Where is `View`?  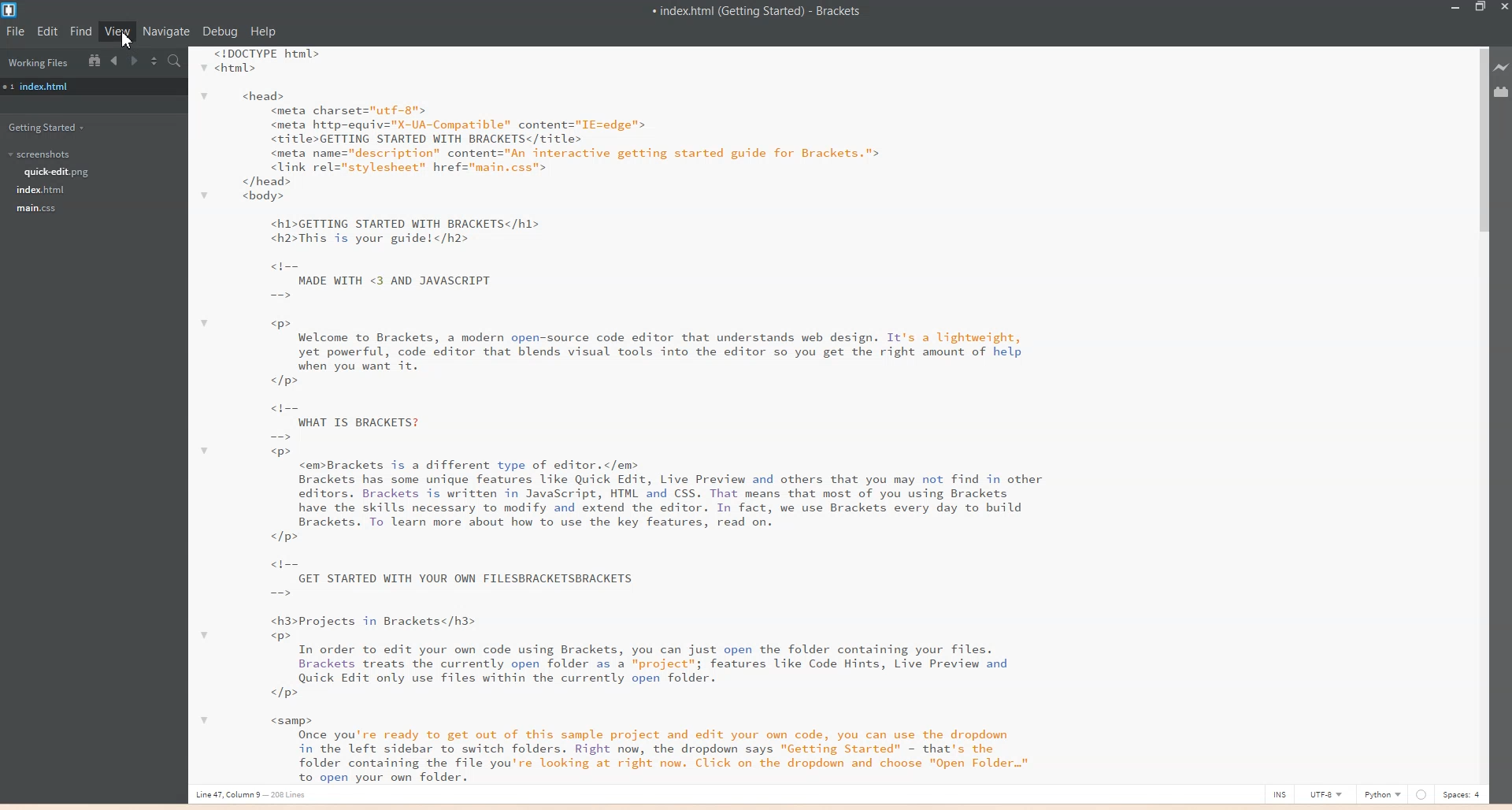
View is located at coordinates (118, 32).